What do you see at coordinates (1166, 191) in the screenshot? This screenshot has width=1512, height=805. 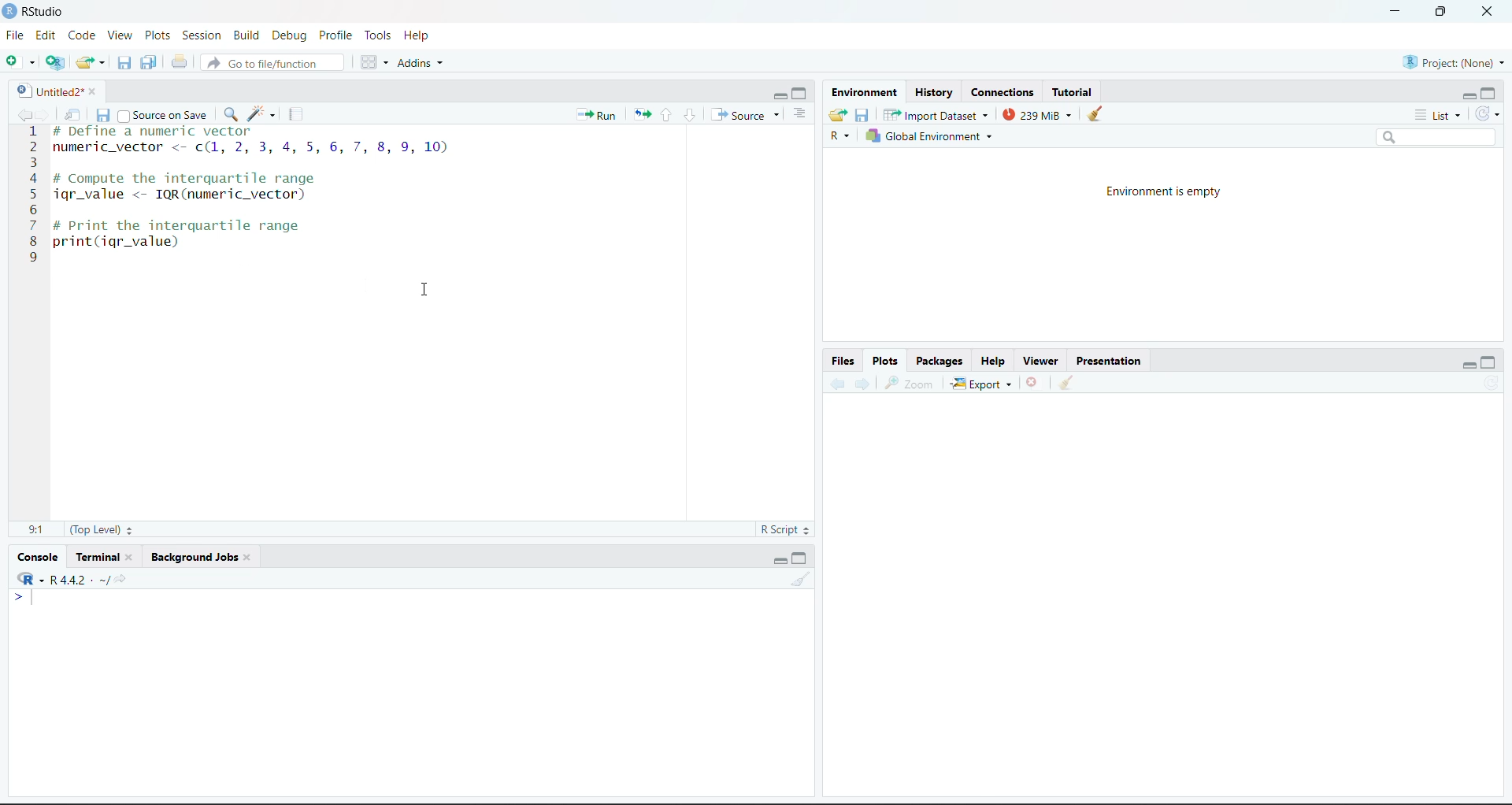 I see `Environment is empty` at bounding box center [1166, 191].